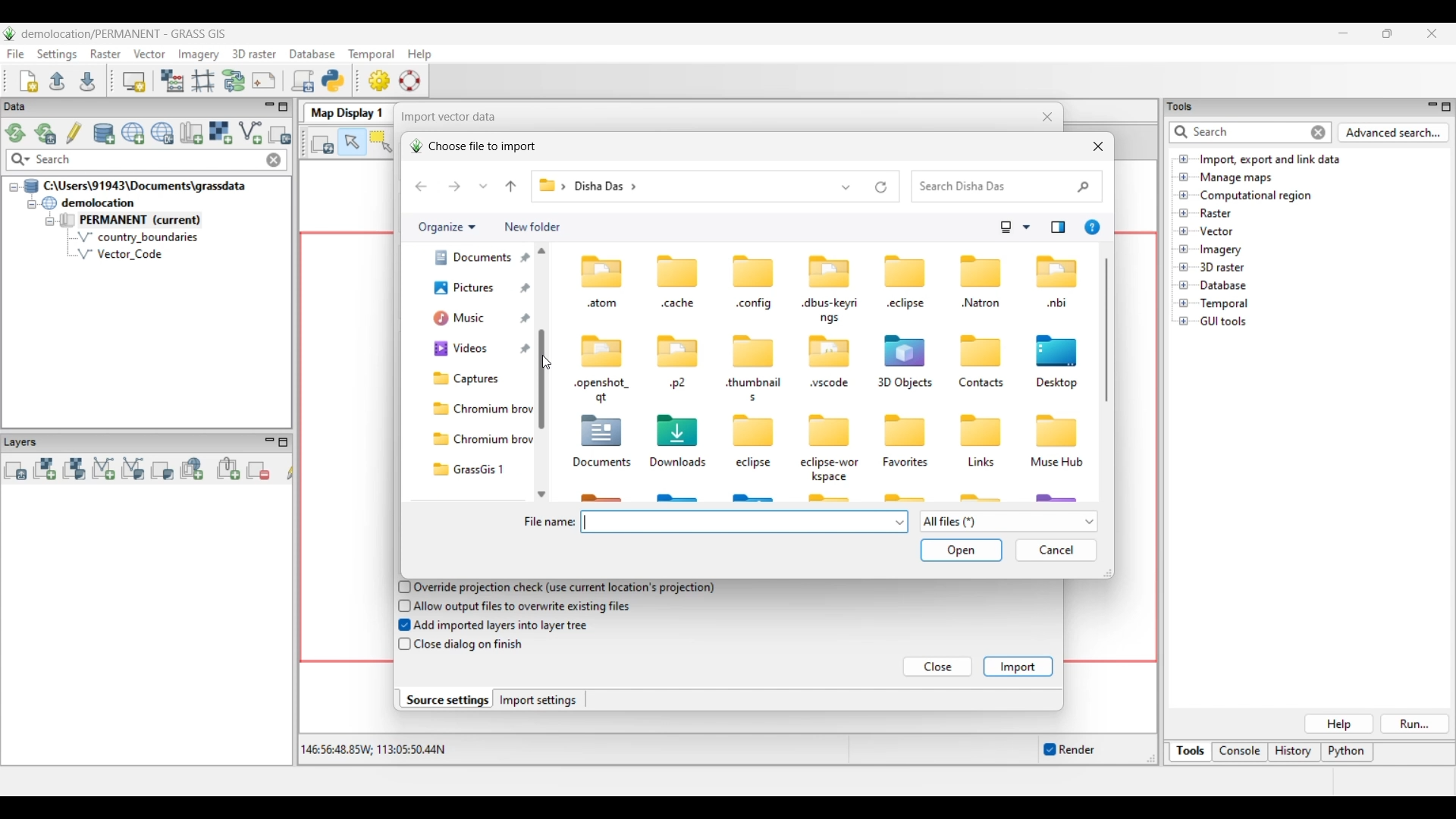 The image size is (1456, 819). Describe the element at coordinates (14, 187) in the screenshot. I see `Collapse file thread ` at that location.